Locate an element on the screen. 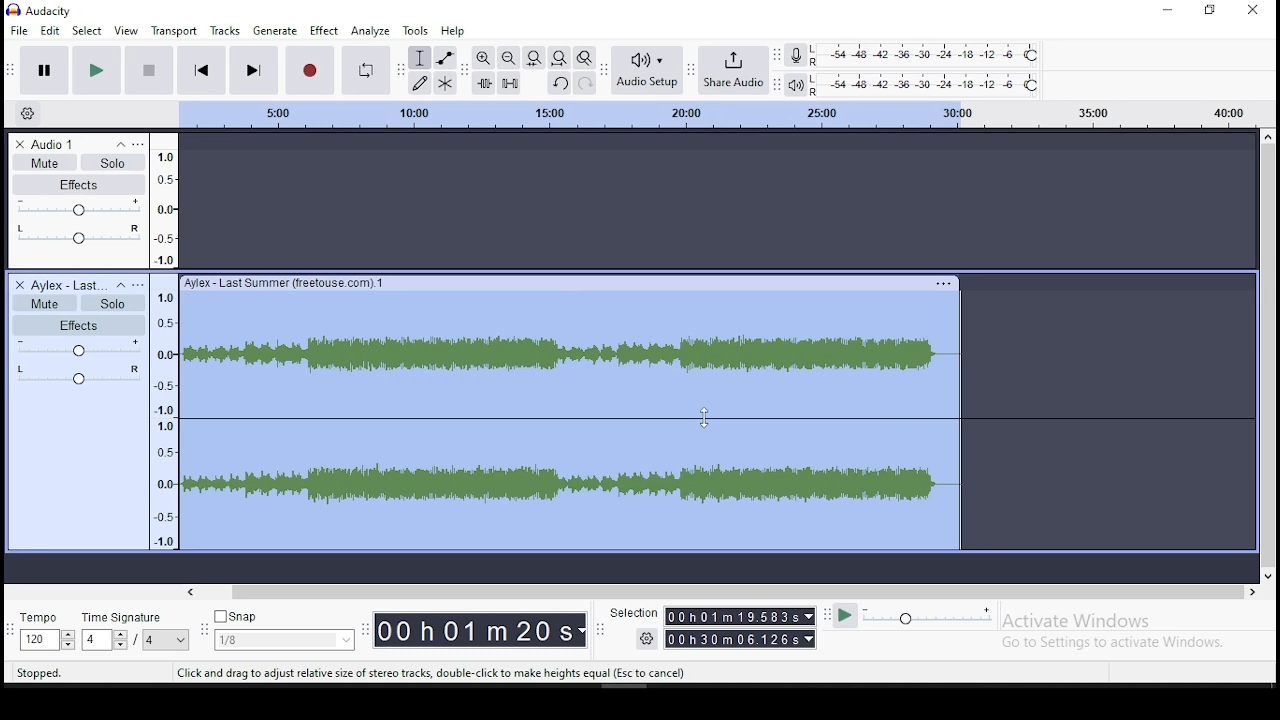 The image size is (1280, 720). generate is located at coordinates (277, 31).